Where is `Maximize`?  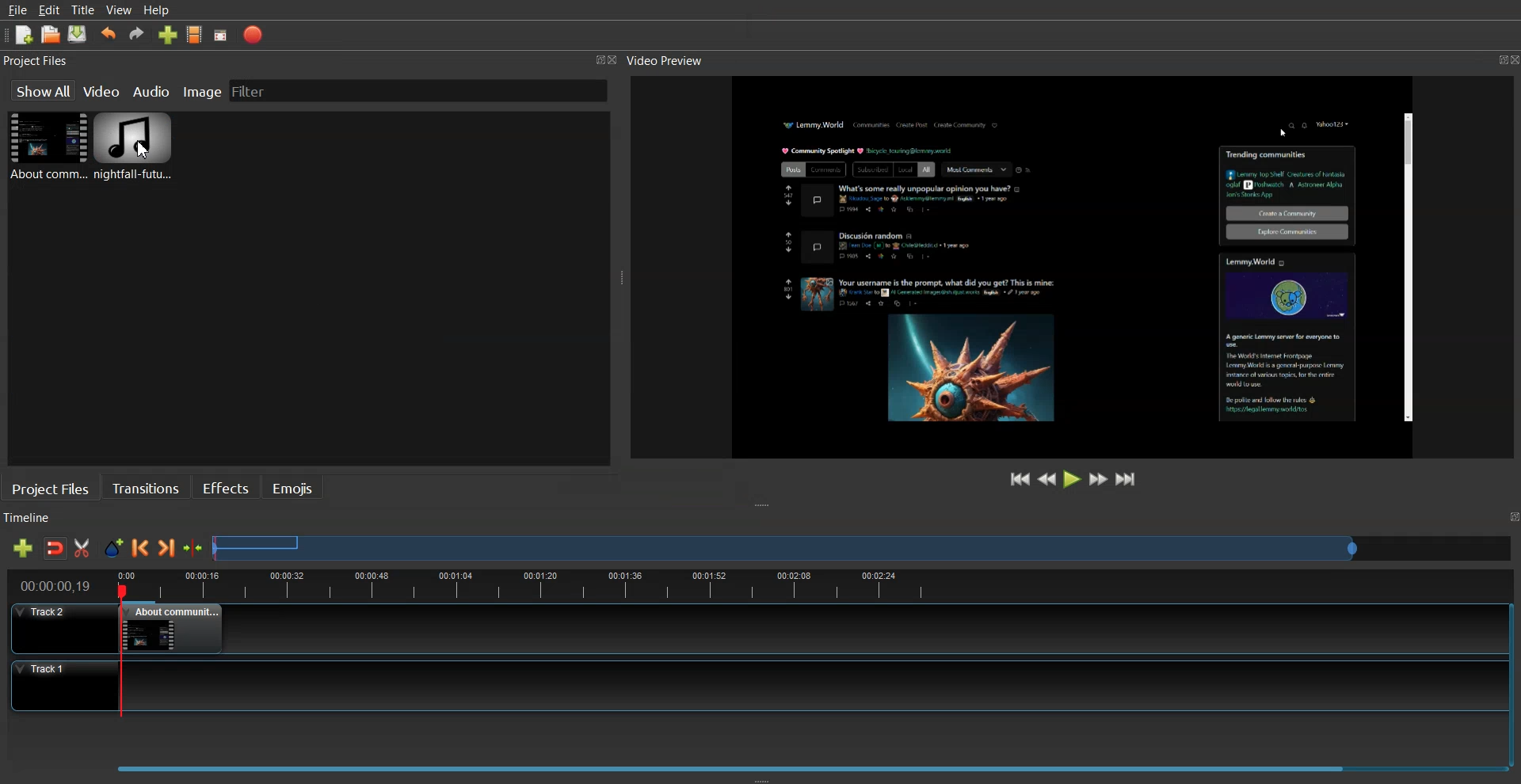 Maximize is located at coordinates (1511, 517).